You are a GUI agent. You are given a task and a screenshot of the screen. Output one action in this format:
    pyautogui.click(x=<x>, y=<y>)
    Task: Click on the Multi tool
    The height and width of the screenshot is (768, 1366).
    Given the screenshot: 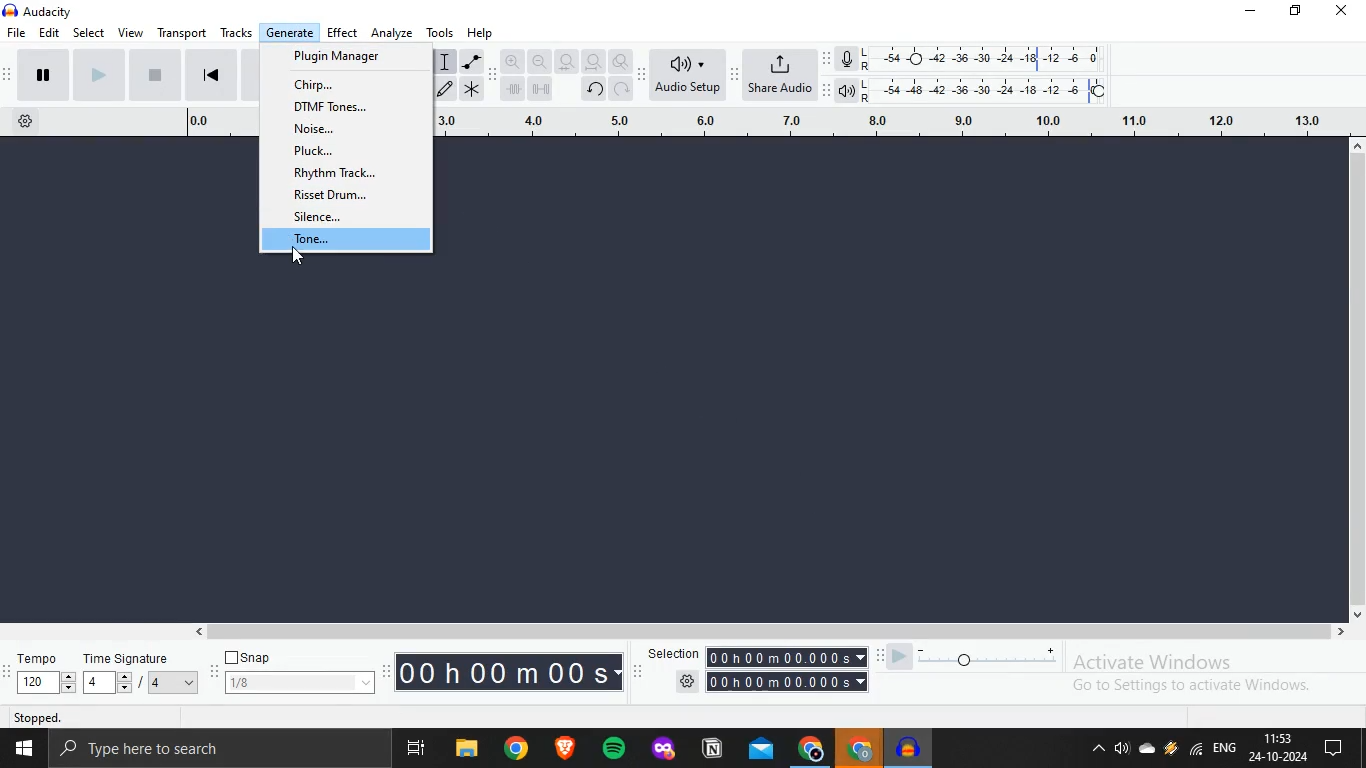 What is the action you would take?
    pyautogui.click(x=473, y=89)
    